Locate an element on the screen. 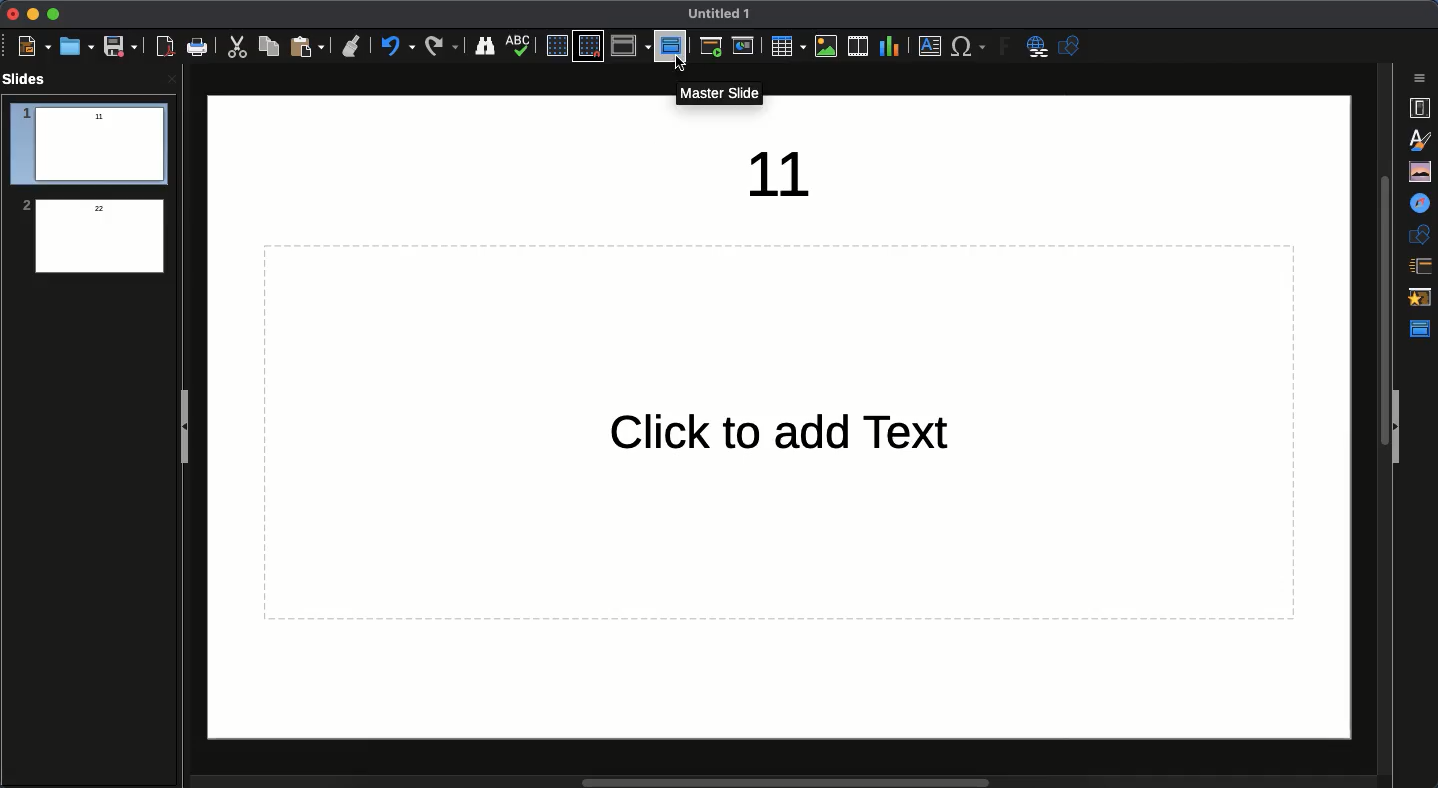 Image resolution: width=1438 pixels, height=788 pixels. Save as PDF is located at coordinates (167, 49).